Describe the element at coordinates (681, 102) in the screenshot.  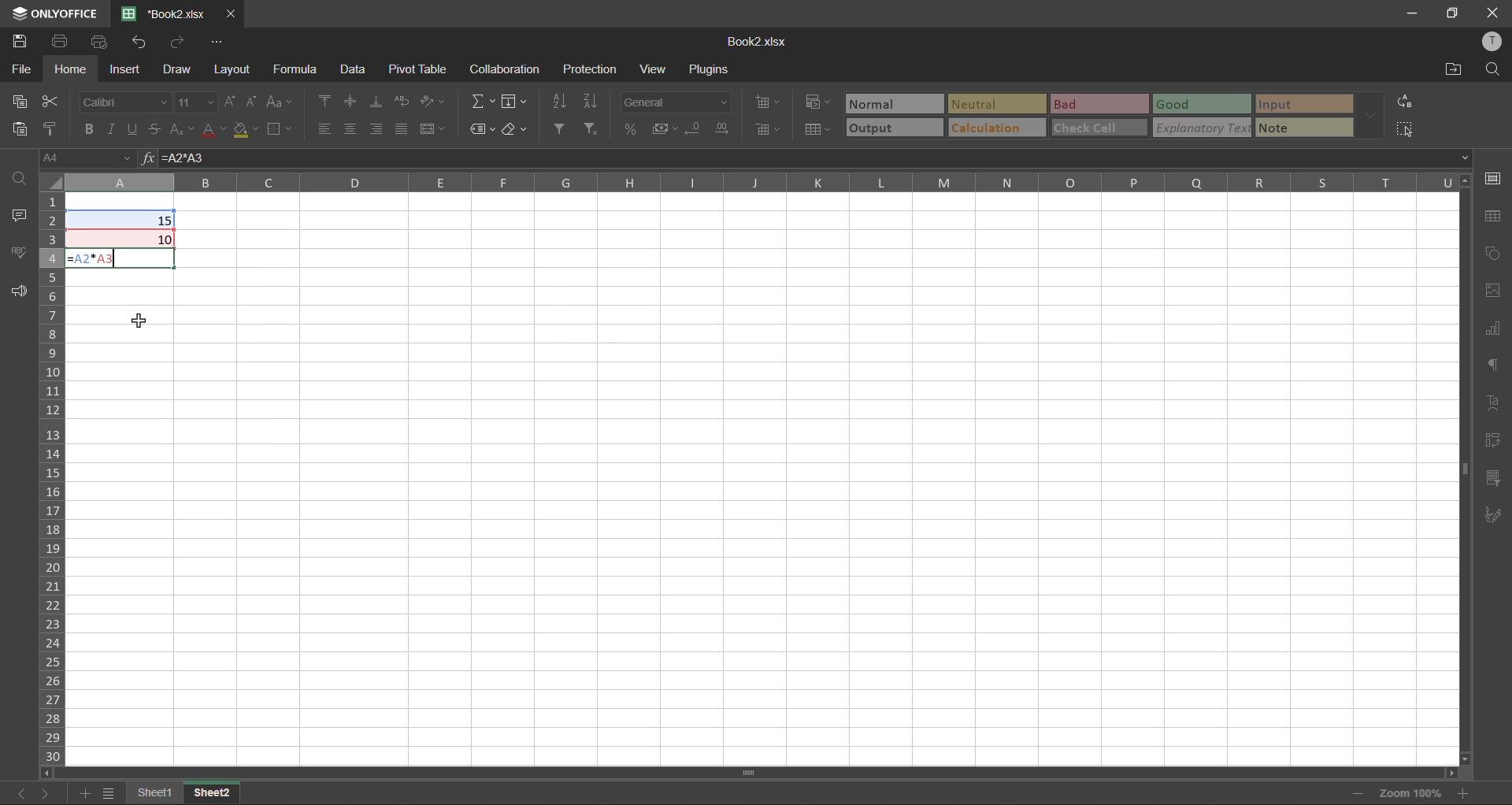
I see `number format` at that location.